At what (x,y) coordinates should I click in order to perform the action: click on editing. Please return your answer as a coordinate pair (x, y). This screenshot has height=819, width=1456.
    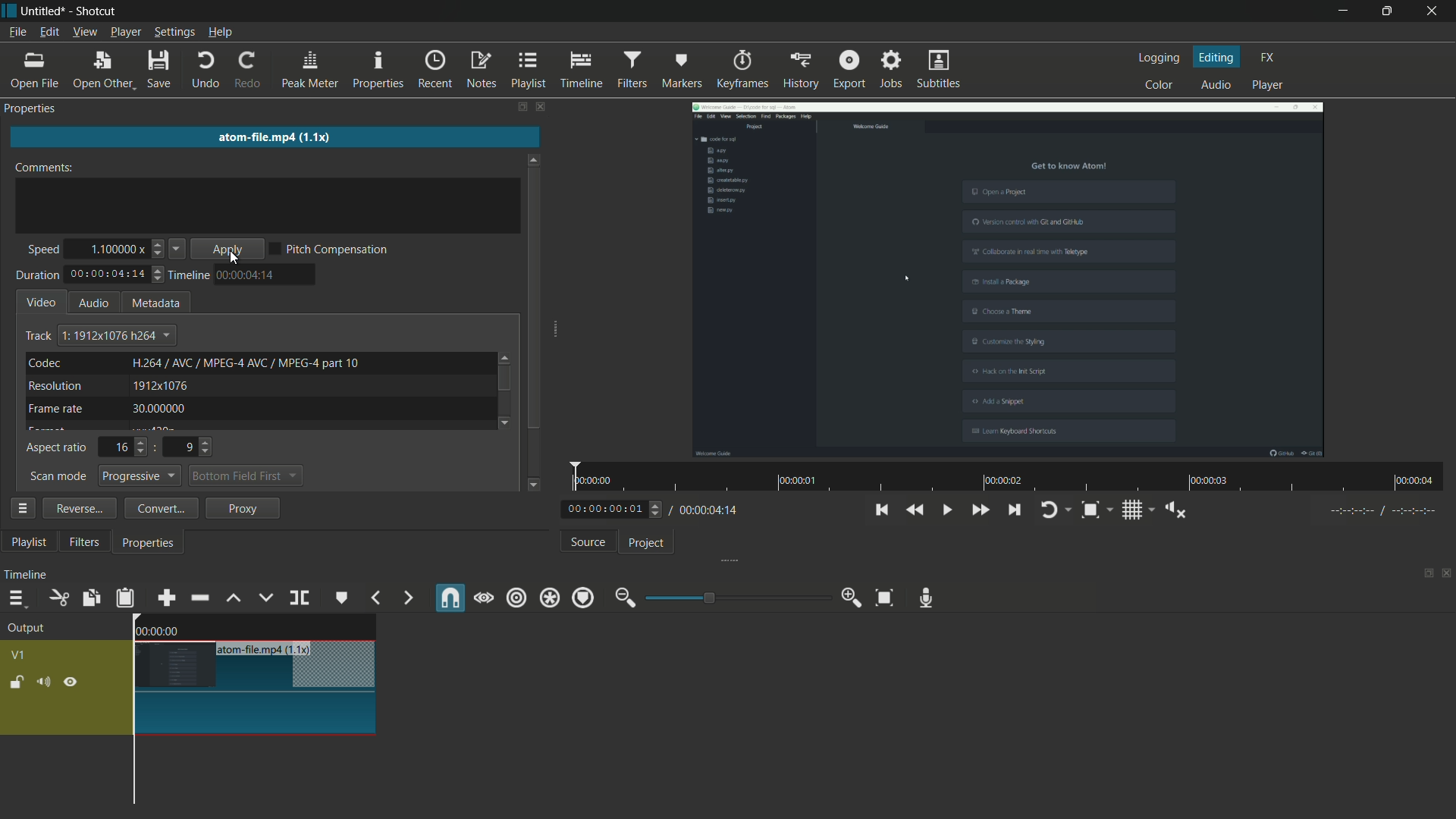
    Looking at the image, I should click on (1216, 57).